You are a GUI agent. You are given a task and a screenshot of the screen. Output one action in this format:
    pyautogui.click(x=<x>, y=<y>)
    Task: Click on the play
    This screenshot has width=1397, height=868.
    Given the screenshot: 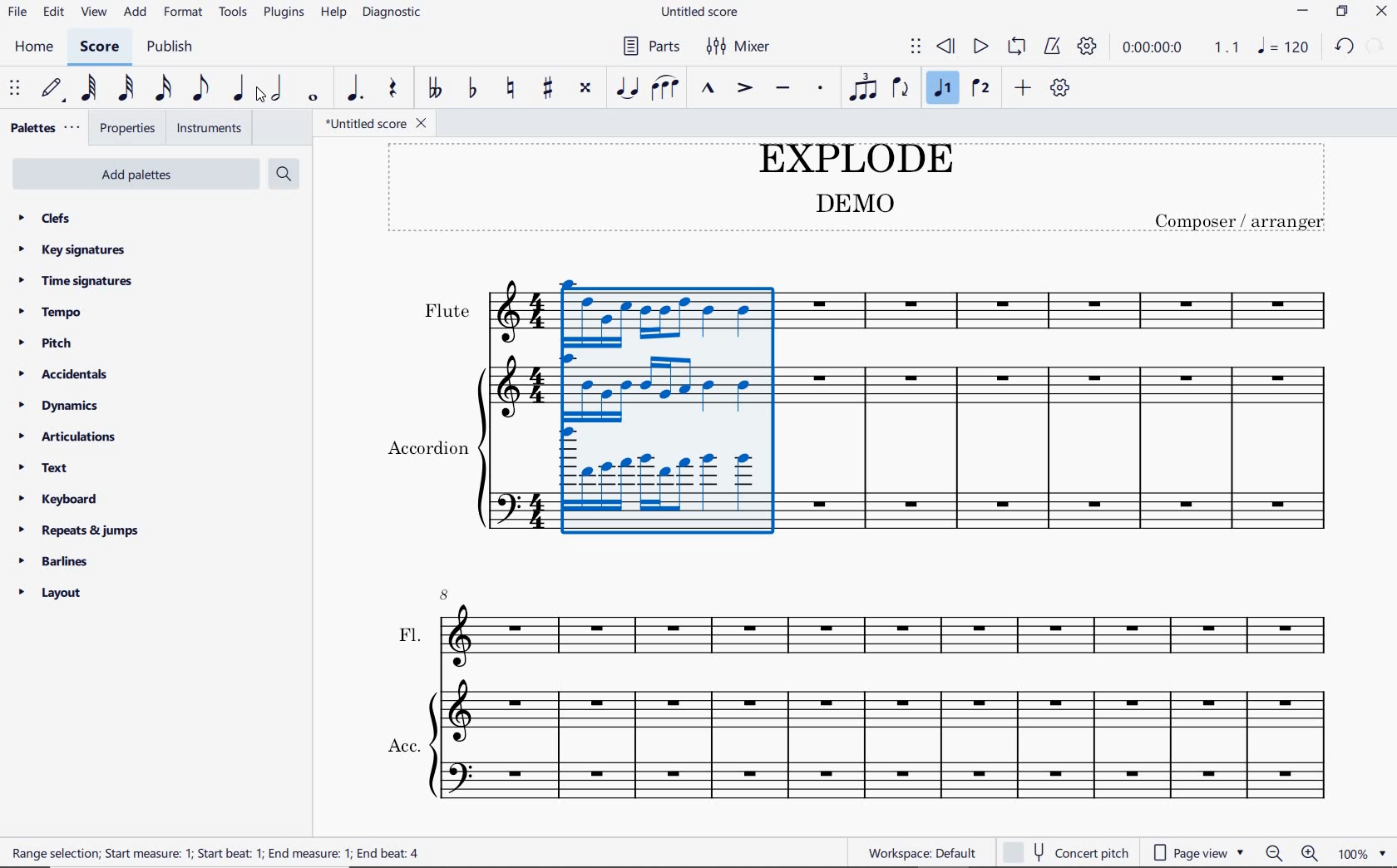 What is the action you would take?
    pyautogui.click(x=978, y=47)
    